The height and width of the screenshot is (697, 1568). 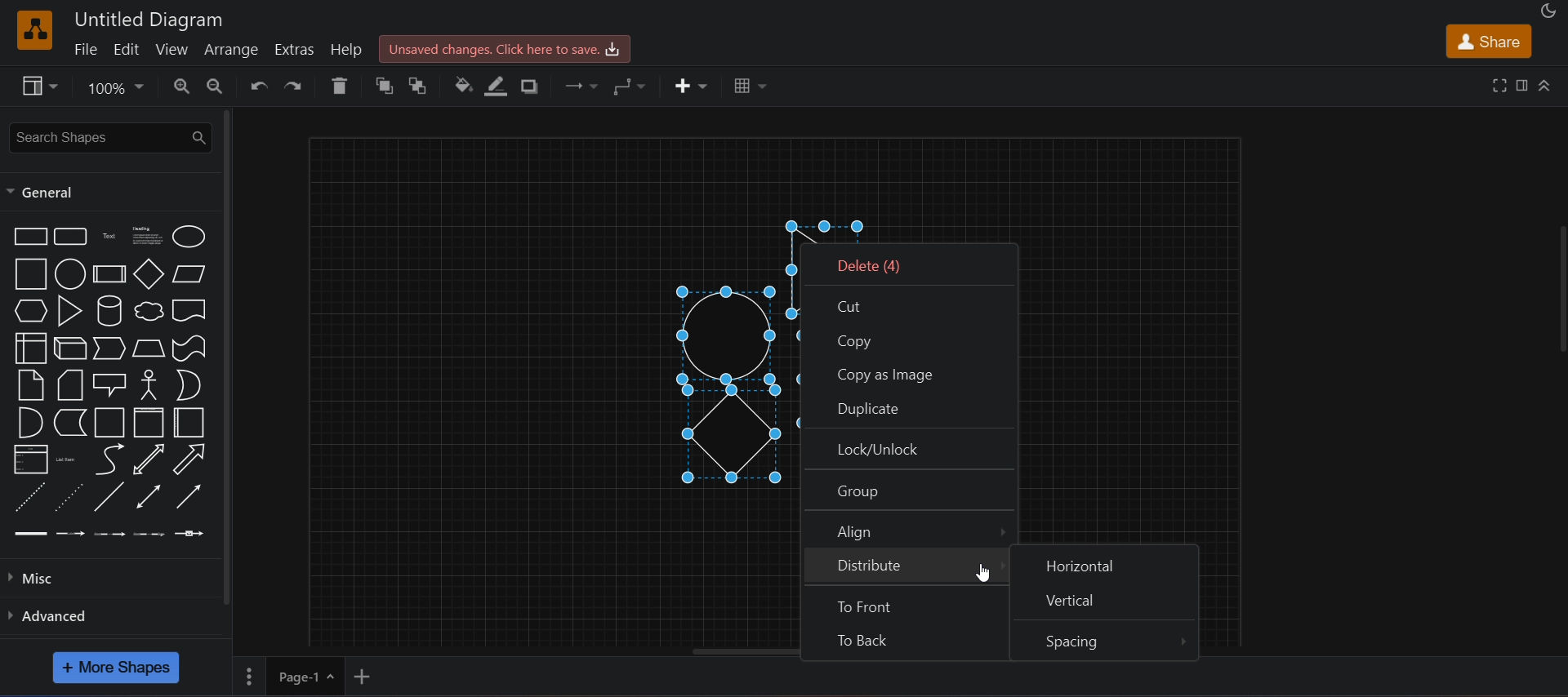 What do you see at coordinates (30, 385) in the screenshot?
I see `notes` at bounding box center [30, 385].